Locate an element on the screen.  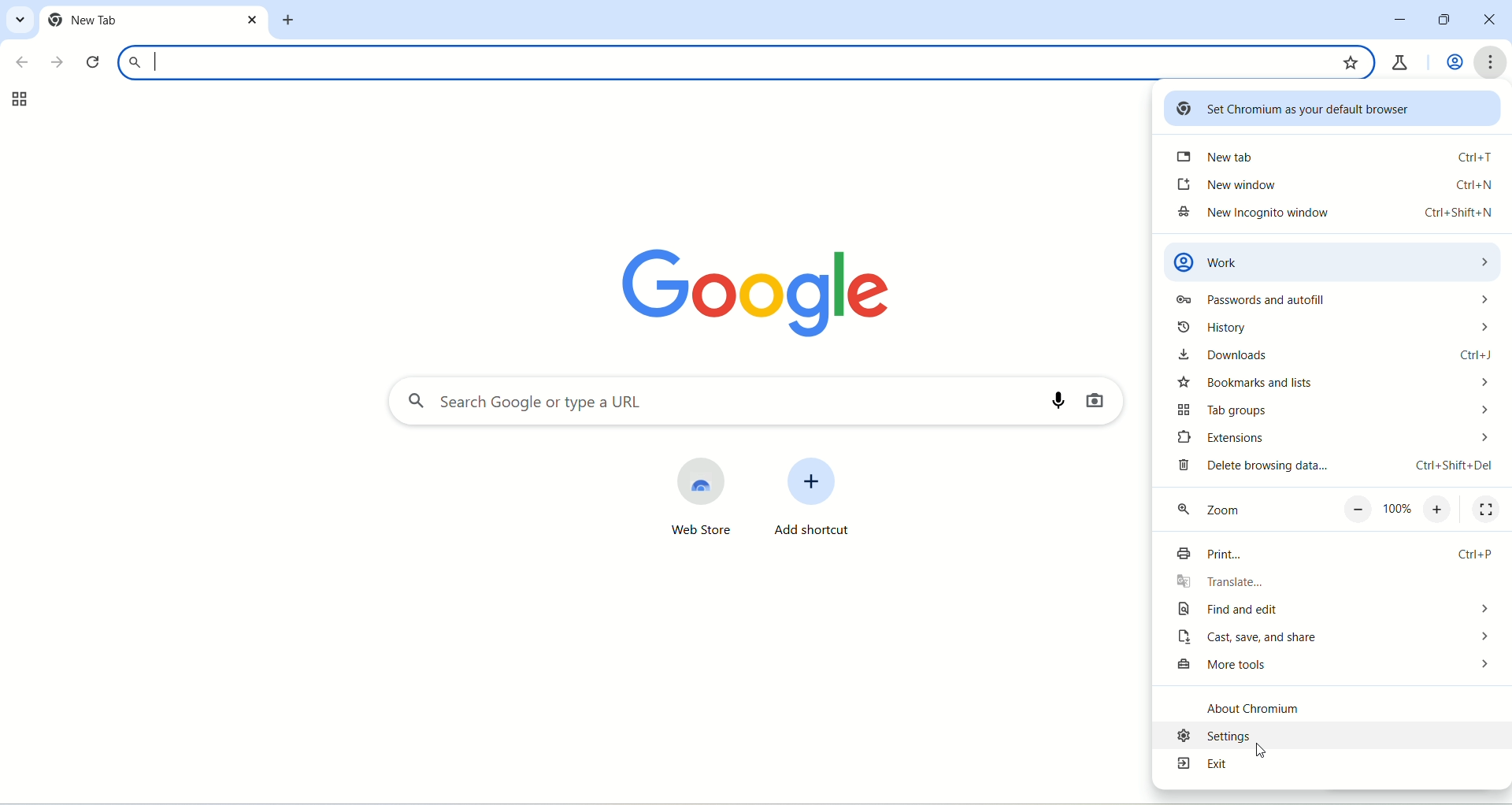
bookmark this tab is located at coordinates (1352, 61).